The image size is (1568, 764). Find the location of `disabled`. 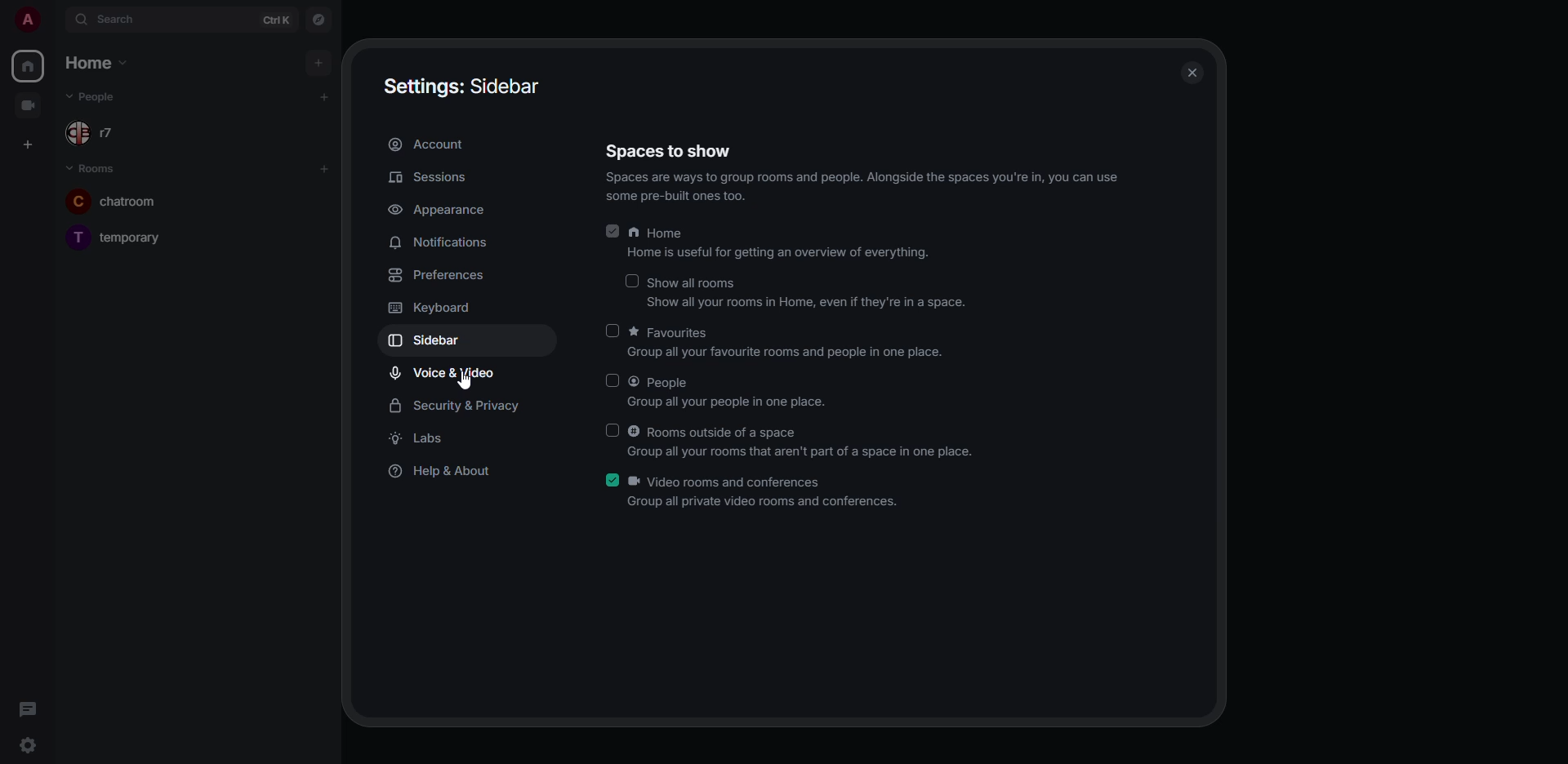

disabled is located at coordinates (628, 279).